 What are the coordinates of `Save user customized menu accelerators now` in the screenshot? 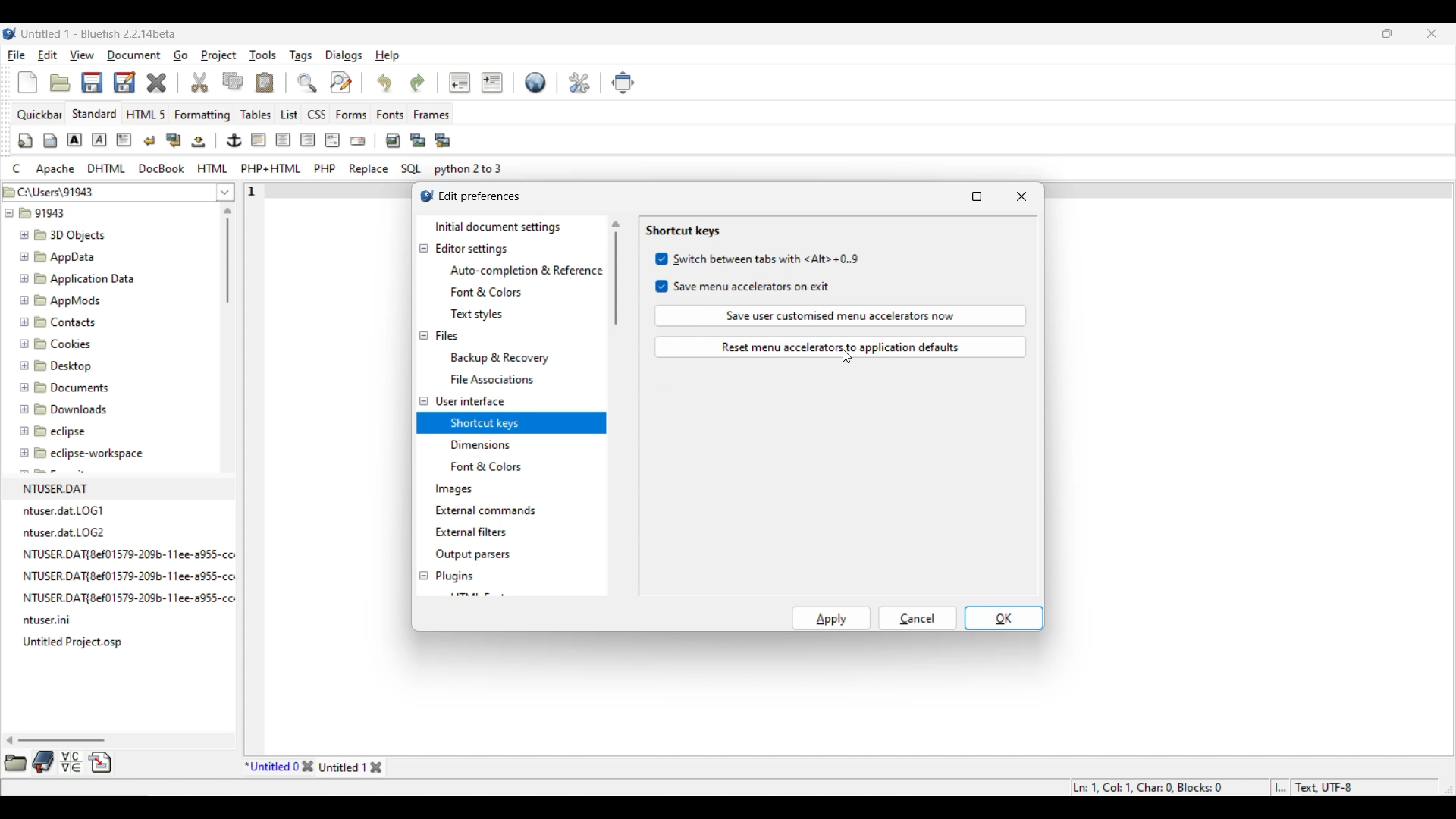 It's located at (841, 315).